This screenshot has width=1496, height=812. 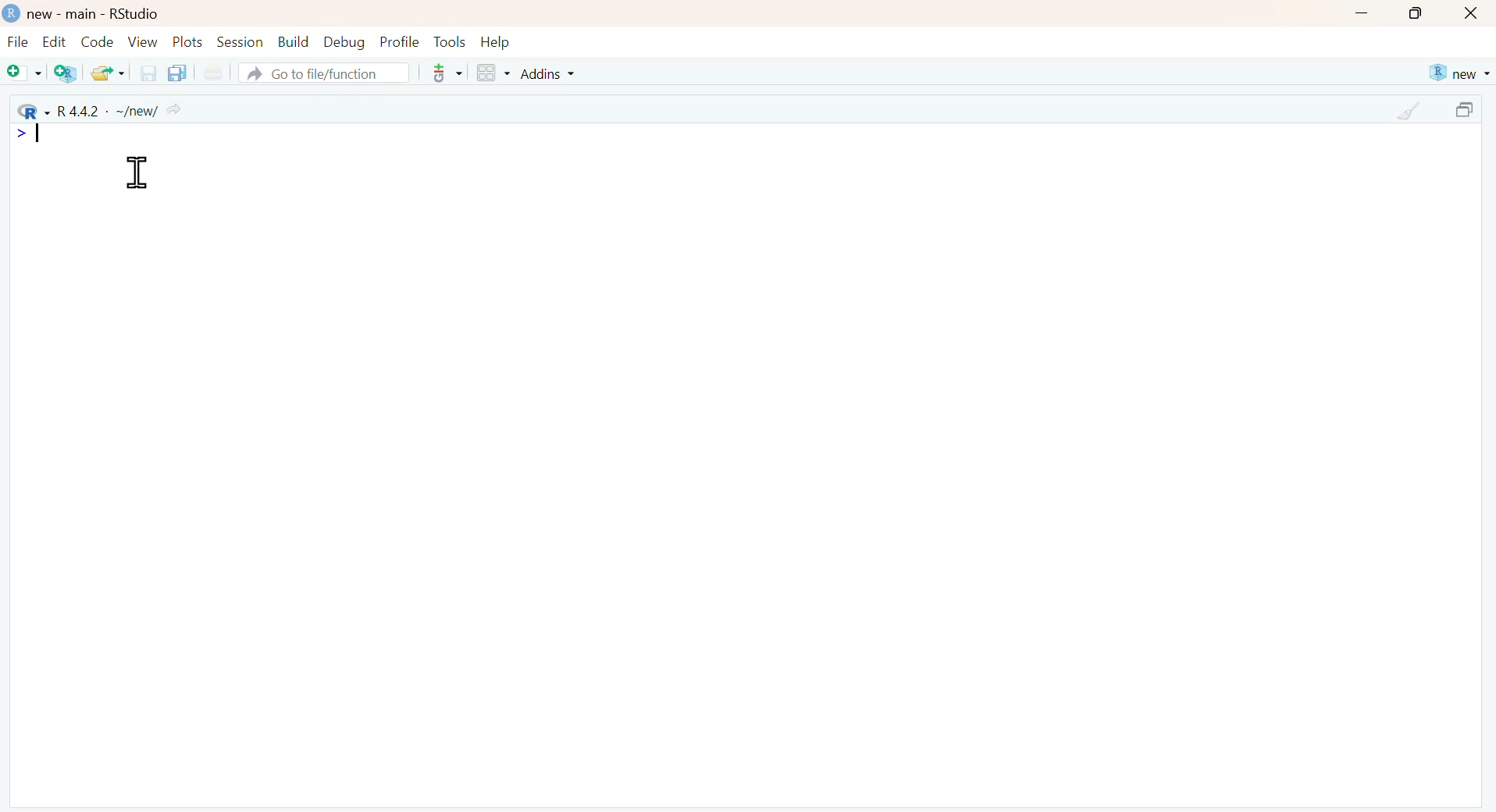 What do you see at coordinates (343, 41) in the screenshot?
I see `Debug` at bounding box center [343, 41].